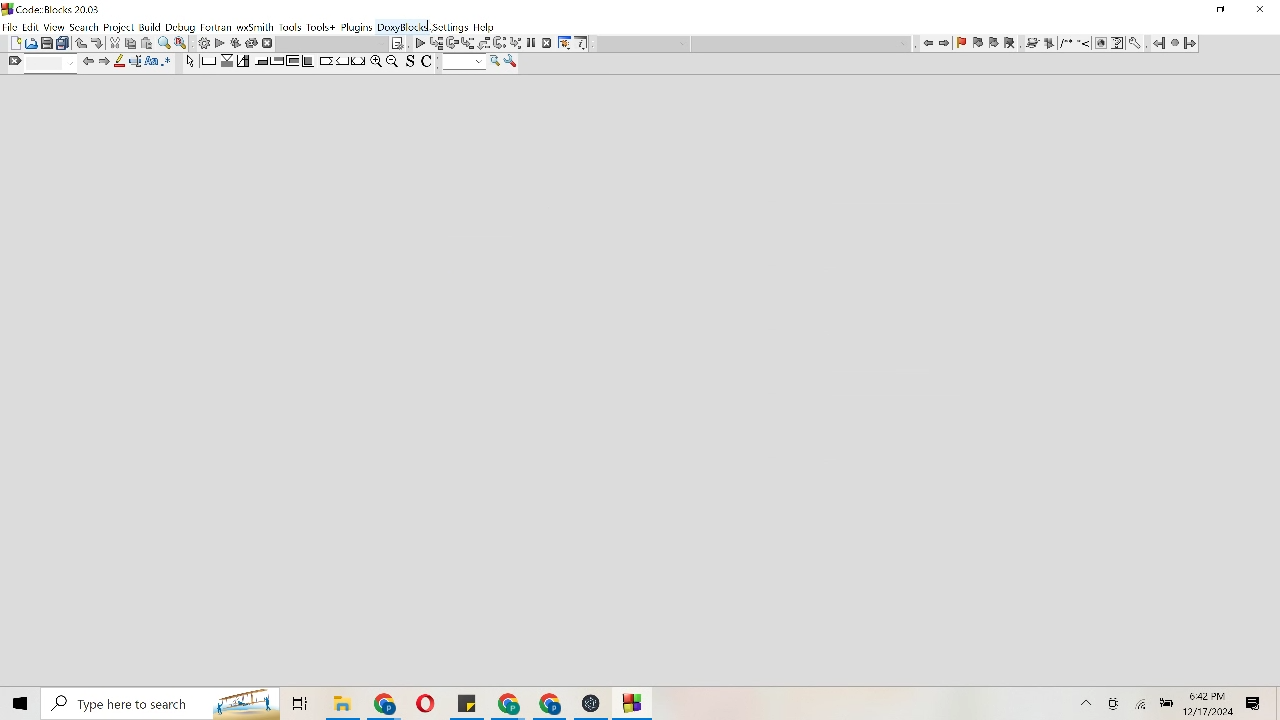 This screenshot has width=1280, height=720. Describe the element at coordinates (217, 28) in the screenshot. I see `Fortran` at that location.